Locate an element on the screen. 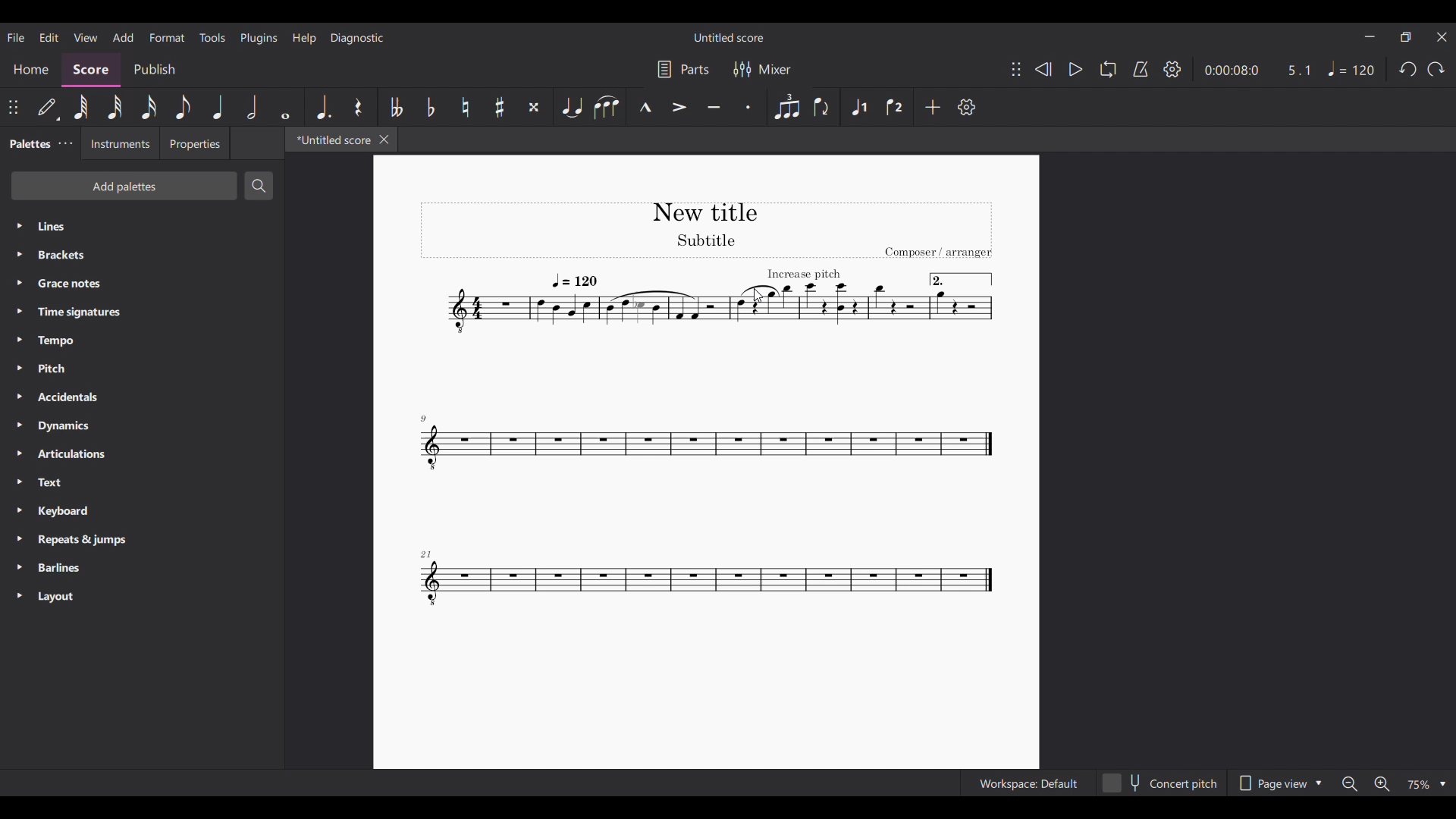  Search is located at coordinates (258, 186).